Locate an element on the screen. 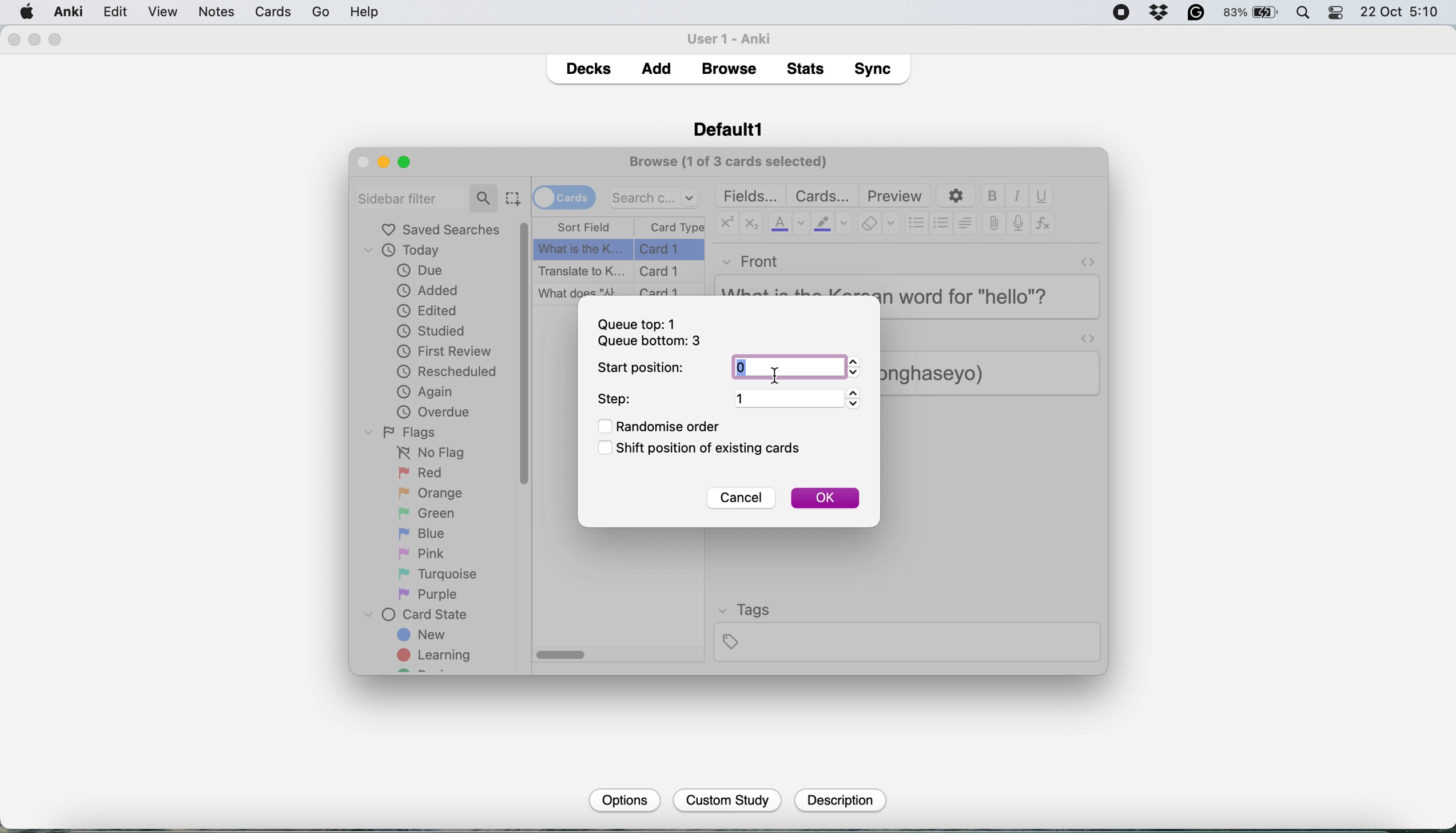 The height and width of the screenshot is (833, 1456). Options is located at coordinates (623, 799).